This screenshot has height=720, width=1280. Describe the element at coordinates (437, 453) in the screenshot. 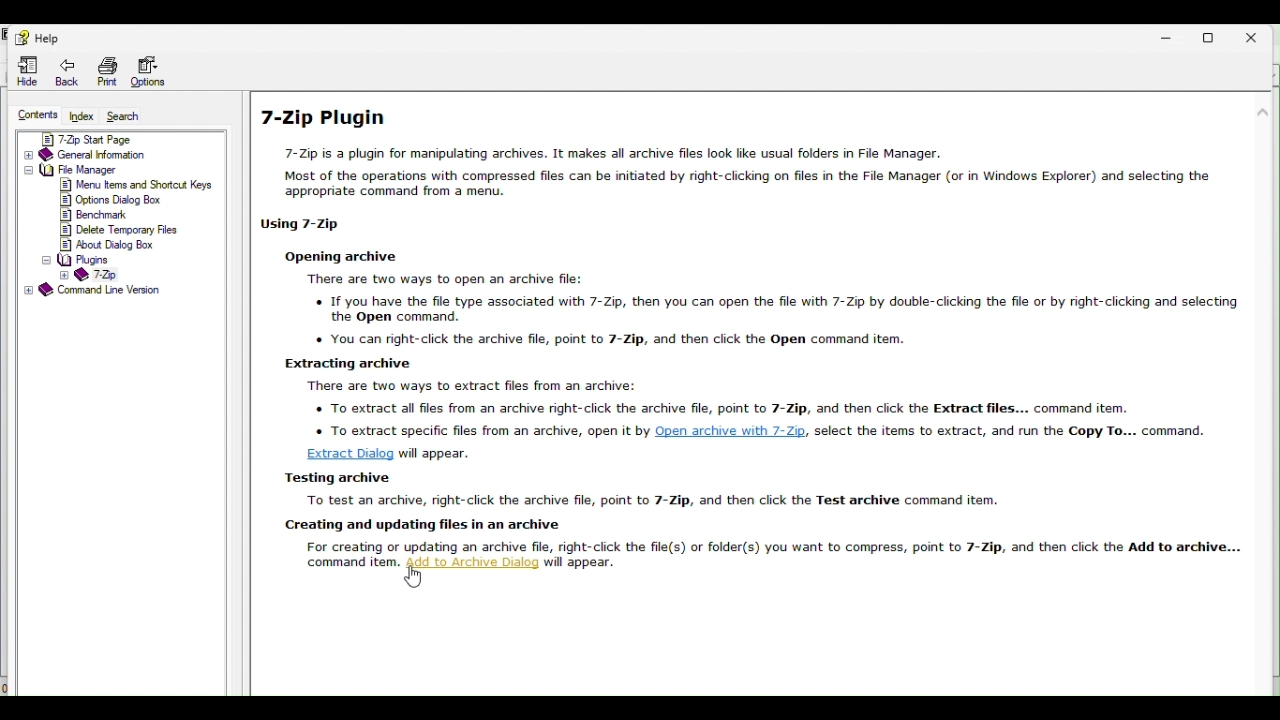

I see `will appear.` at that location.